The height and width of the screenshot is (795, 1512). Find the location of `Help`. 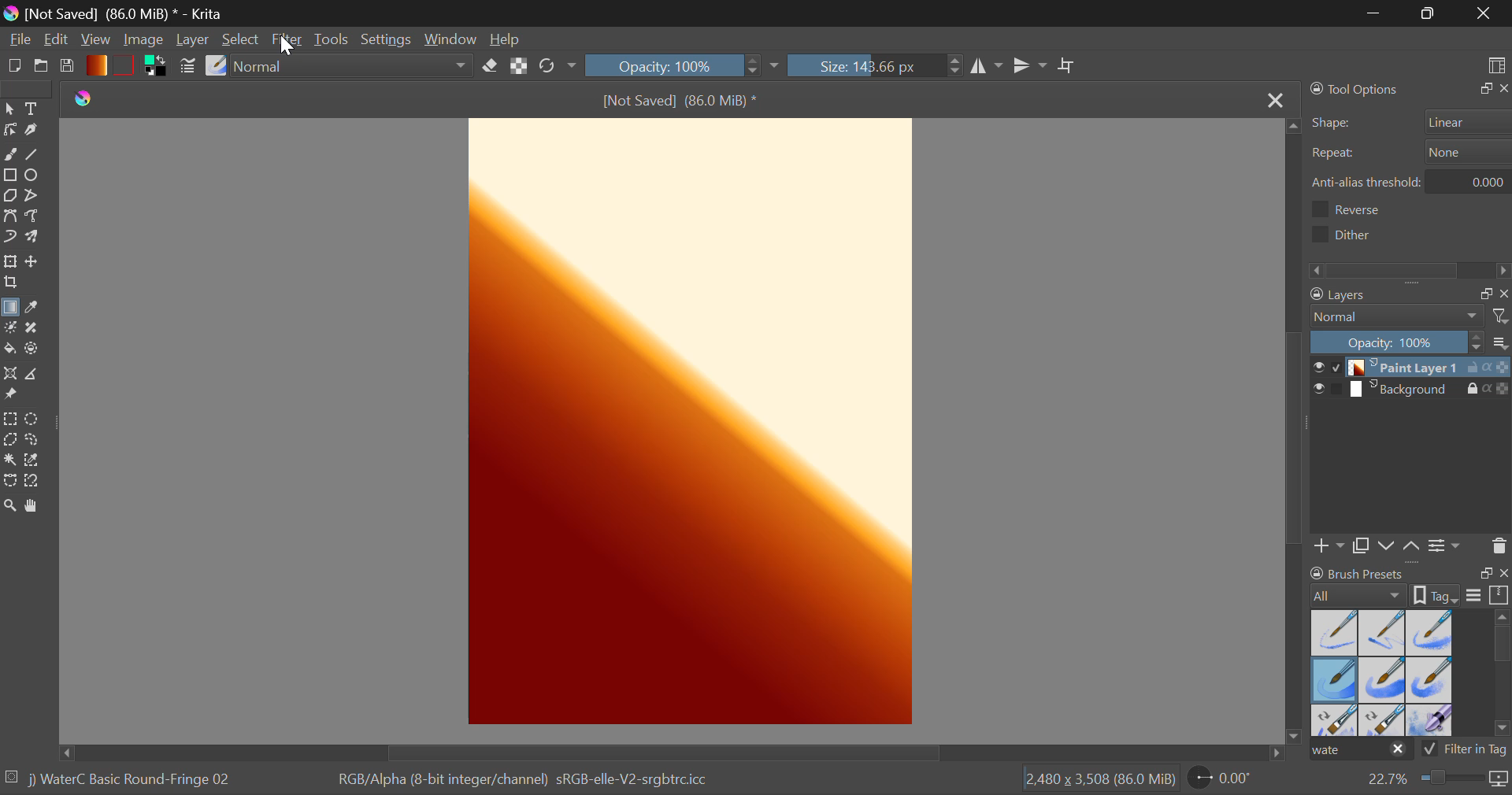

Help is located at coordinates (506, 37).